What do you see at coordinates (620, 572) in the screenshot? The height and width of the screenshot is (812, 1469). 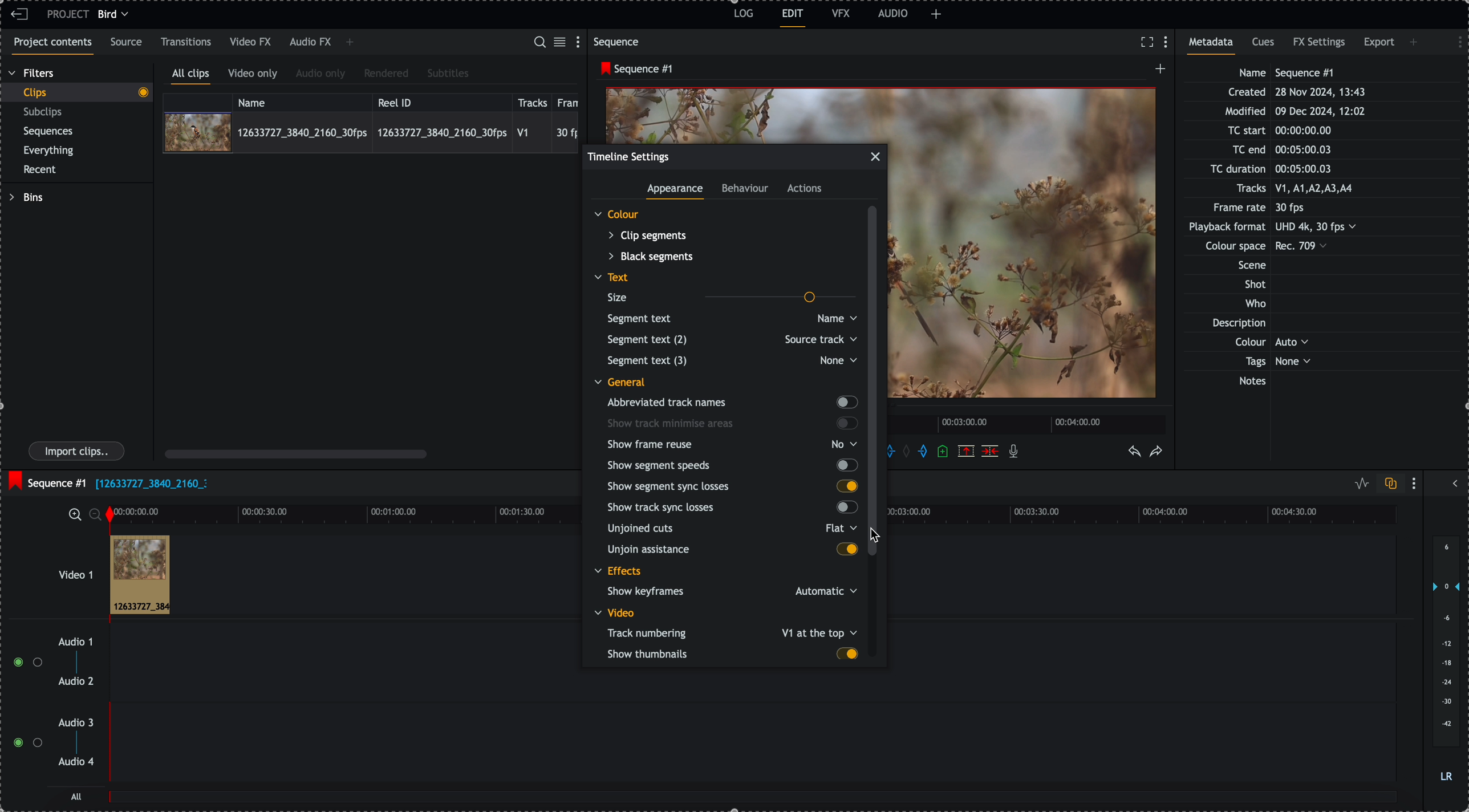 I see `effects` at bounding box center [620, 572].